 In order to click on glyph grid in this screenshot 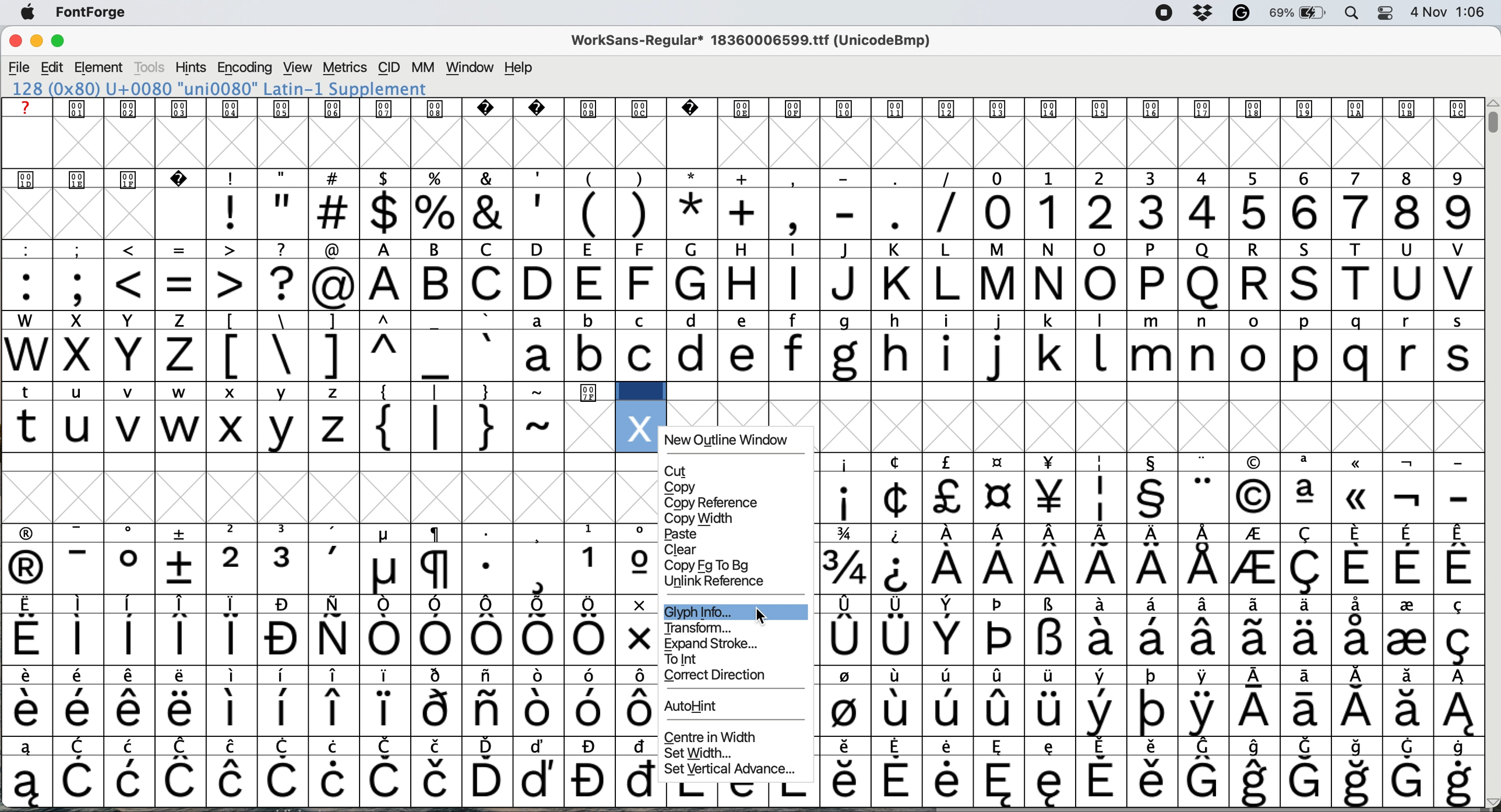, I will do `click(1150, 428)`.